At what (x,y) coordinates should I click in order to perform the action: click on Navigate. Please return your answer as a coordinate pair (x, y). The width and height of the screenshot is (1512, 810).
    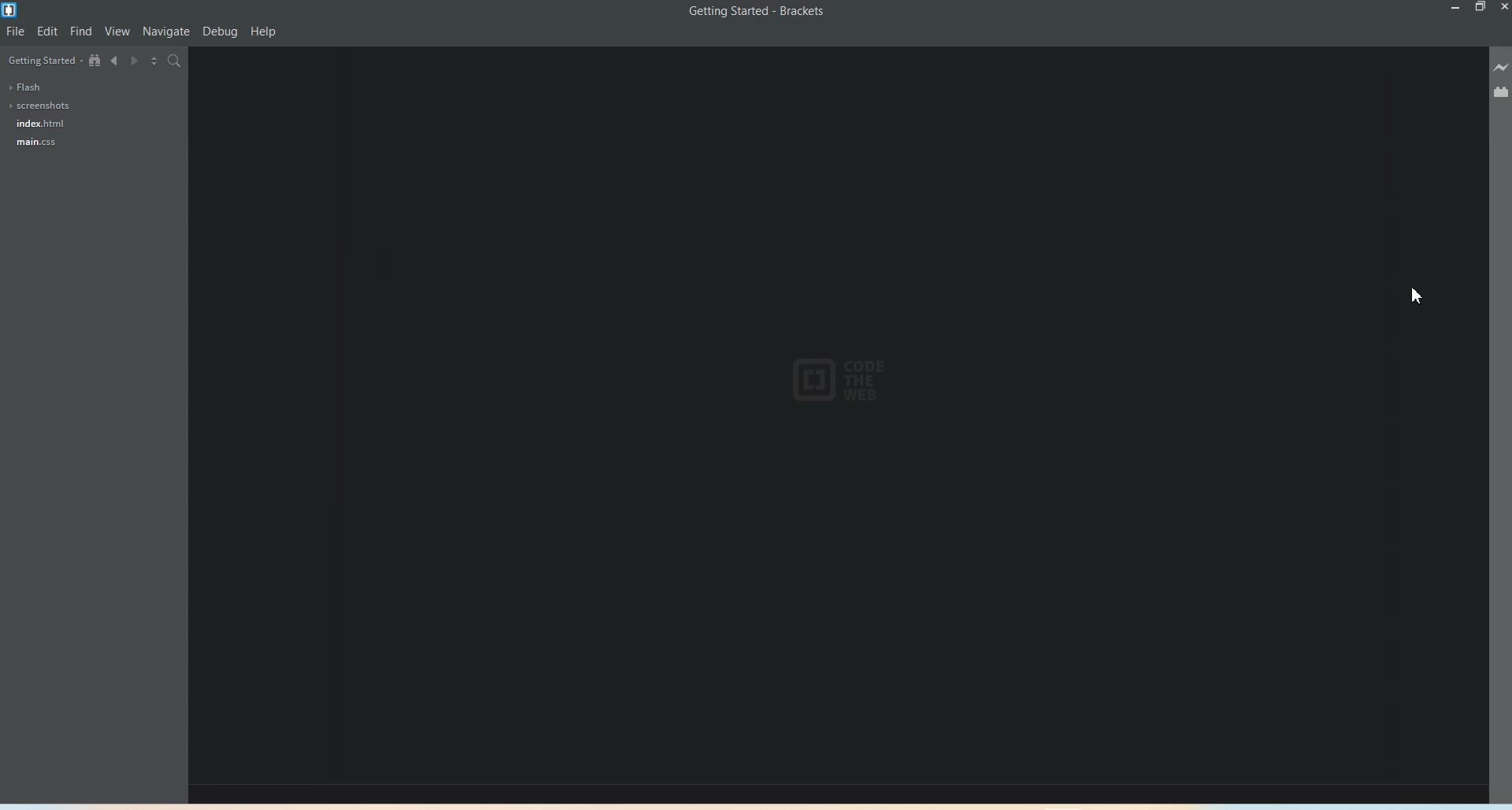
    Looking at the image, I should click on (166, 32).